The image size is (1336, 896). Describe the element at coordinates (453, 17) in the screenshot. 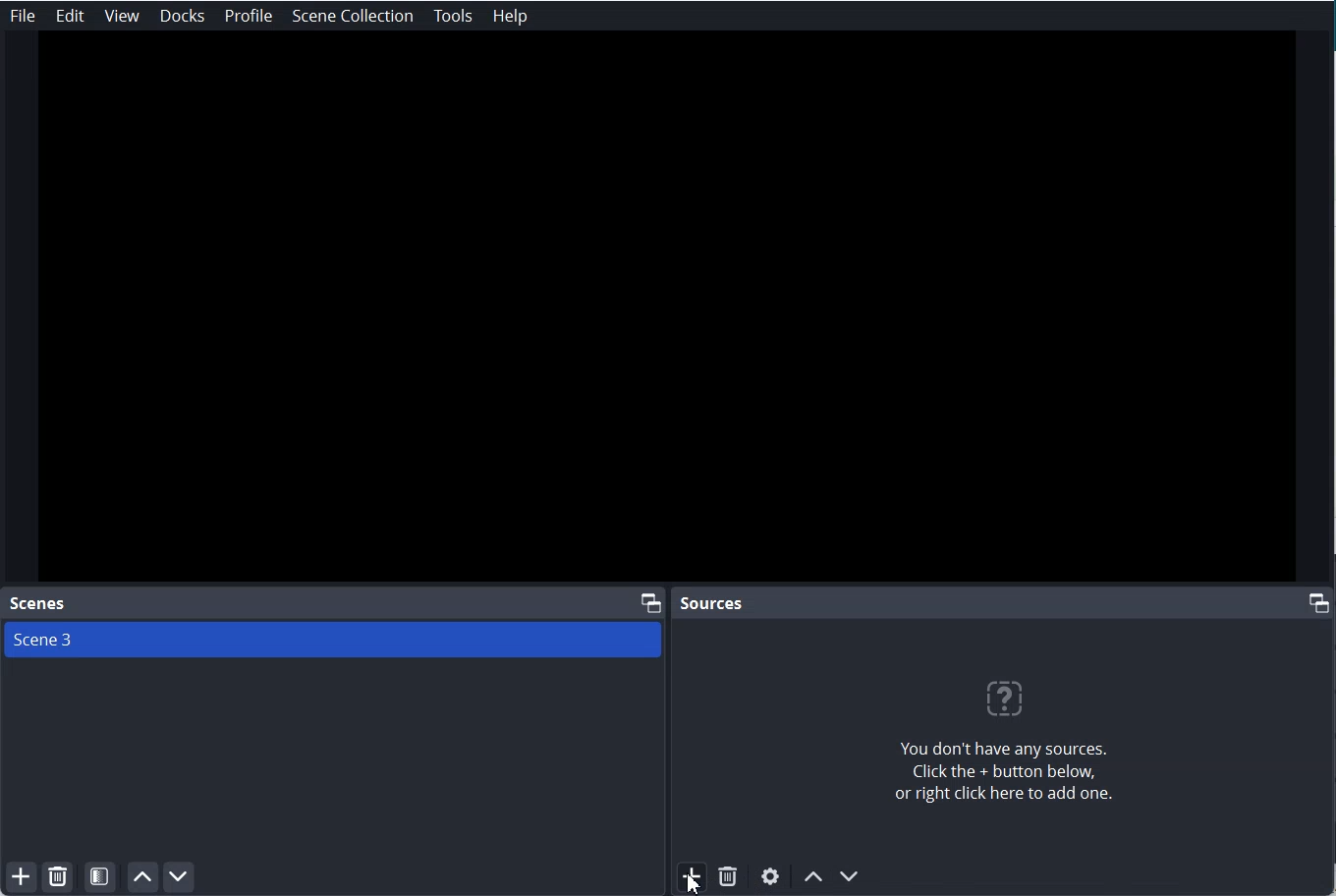

I see `Tools` at that location.